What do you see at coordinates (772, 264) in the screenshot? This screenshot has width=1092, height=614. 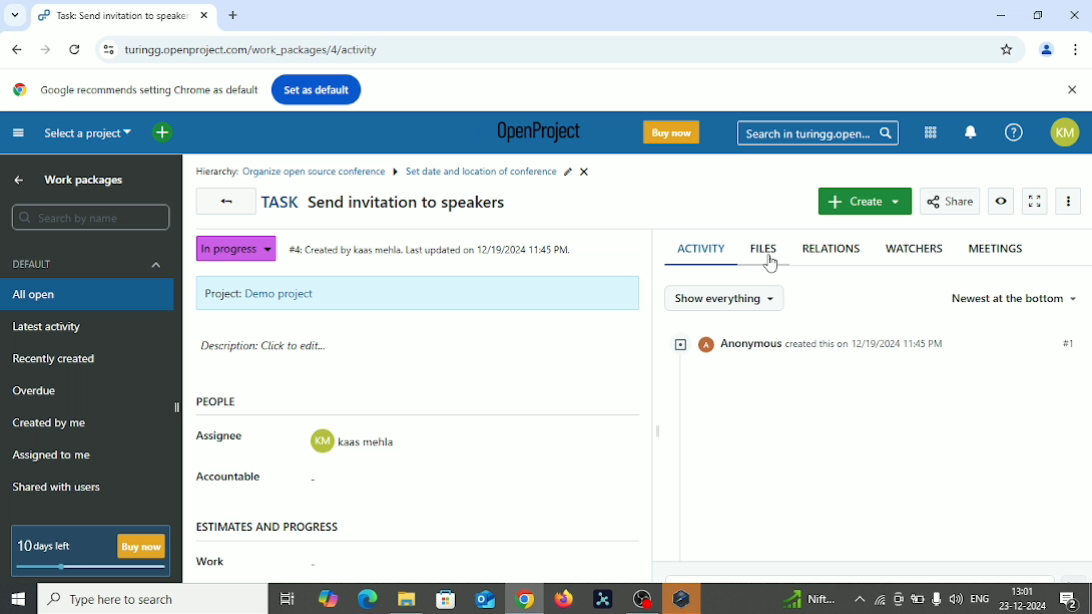 I see `cursor` at bounding box center [772, 264].